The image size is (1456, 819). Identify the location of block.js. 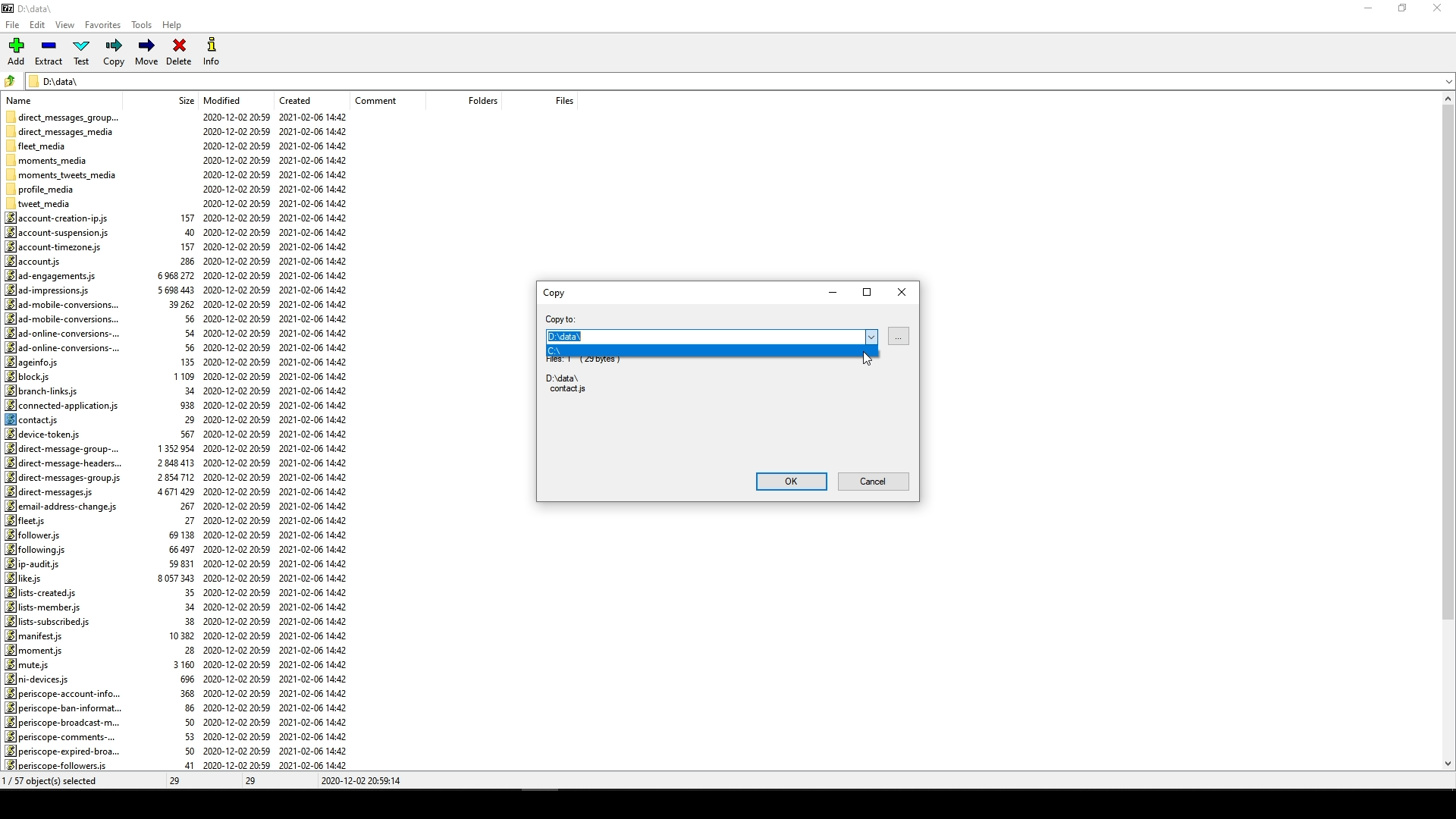
(28, 377).